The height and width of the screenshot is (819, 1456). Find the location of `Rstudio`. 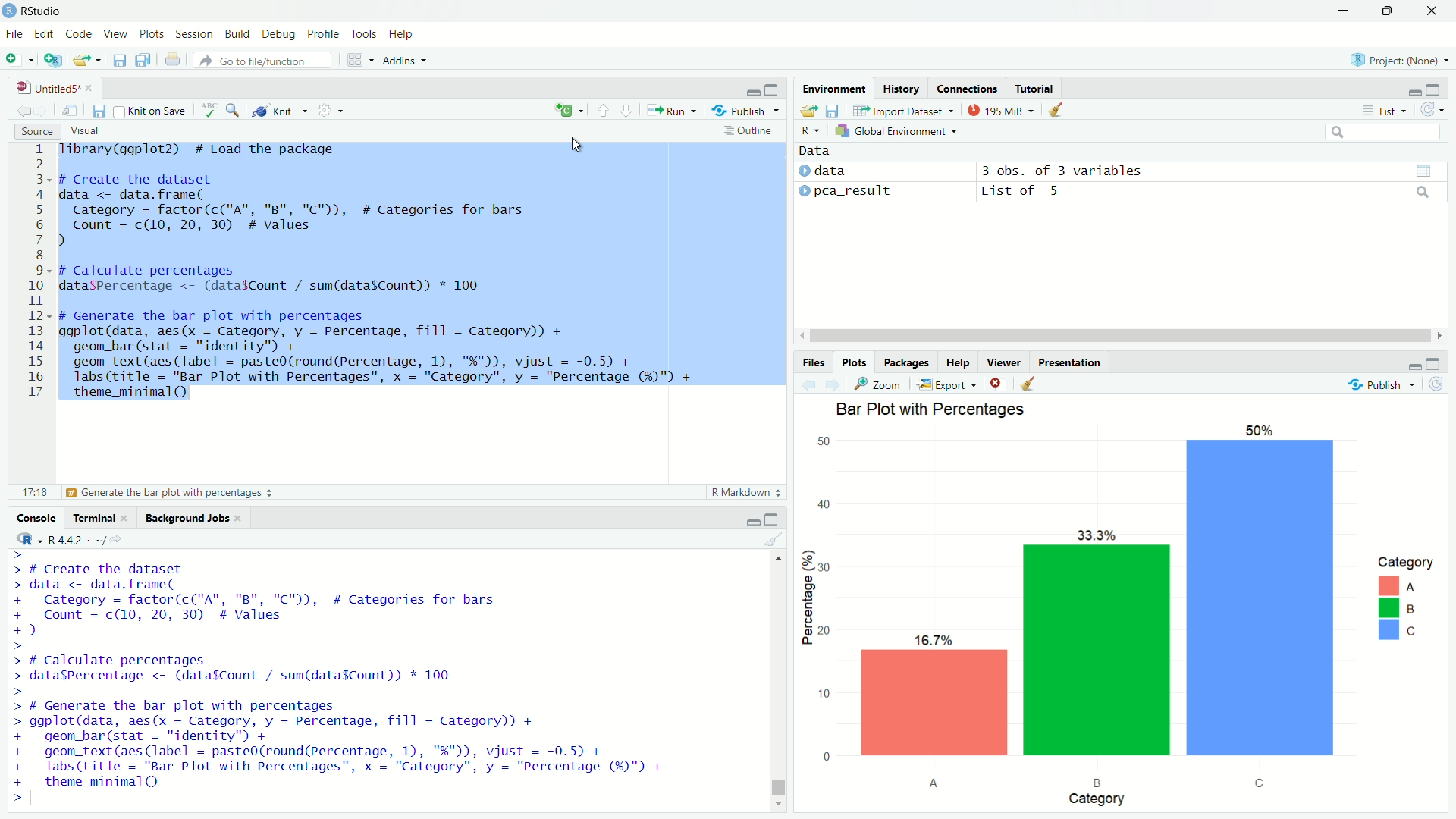

Rstudio is located at coordinates (42, 11).